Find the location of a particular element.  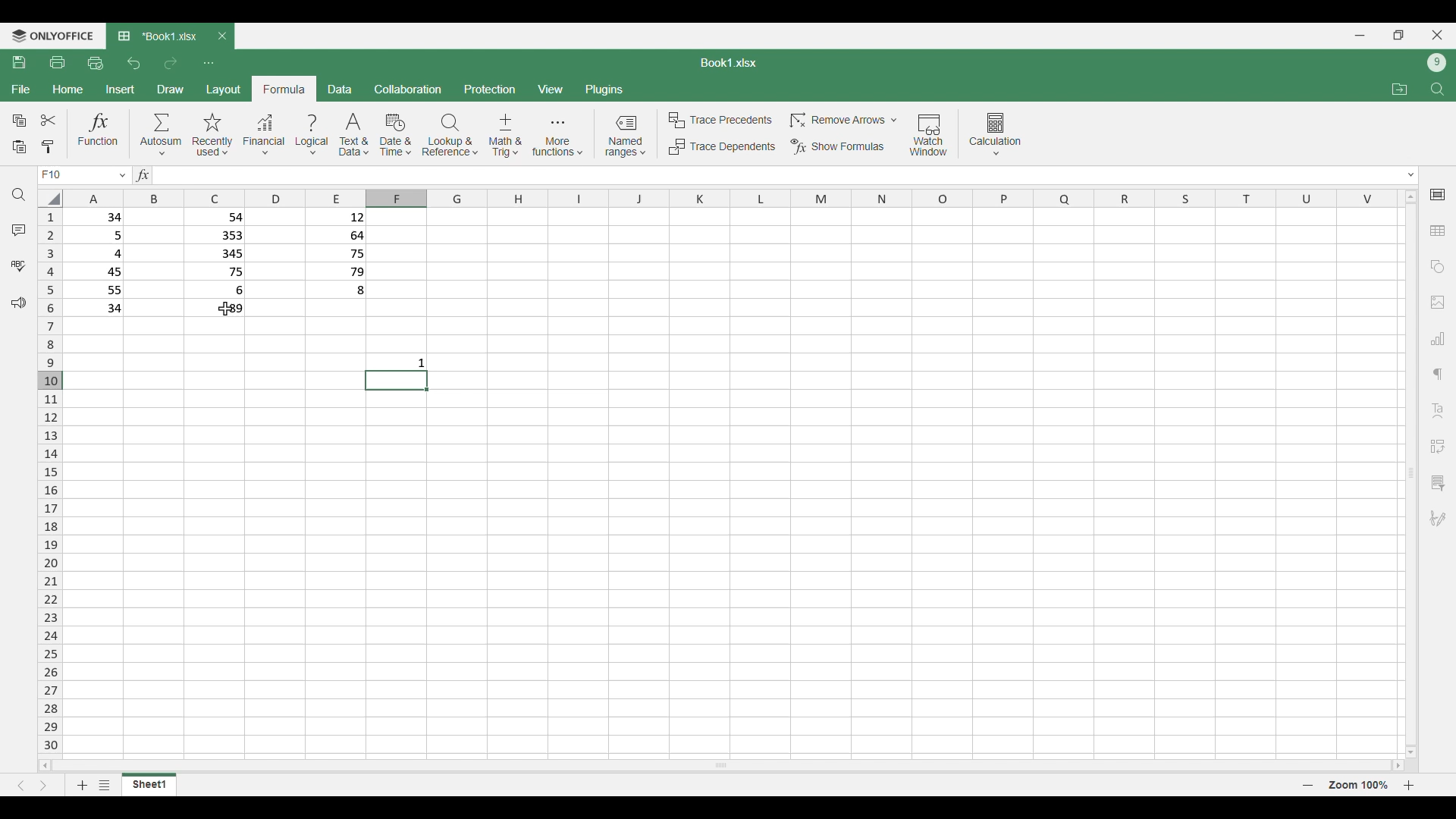

Collaboration menu is located at coordinates (409, 89).